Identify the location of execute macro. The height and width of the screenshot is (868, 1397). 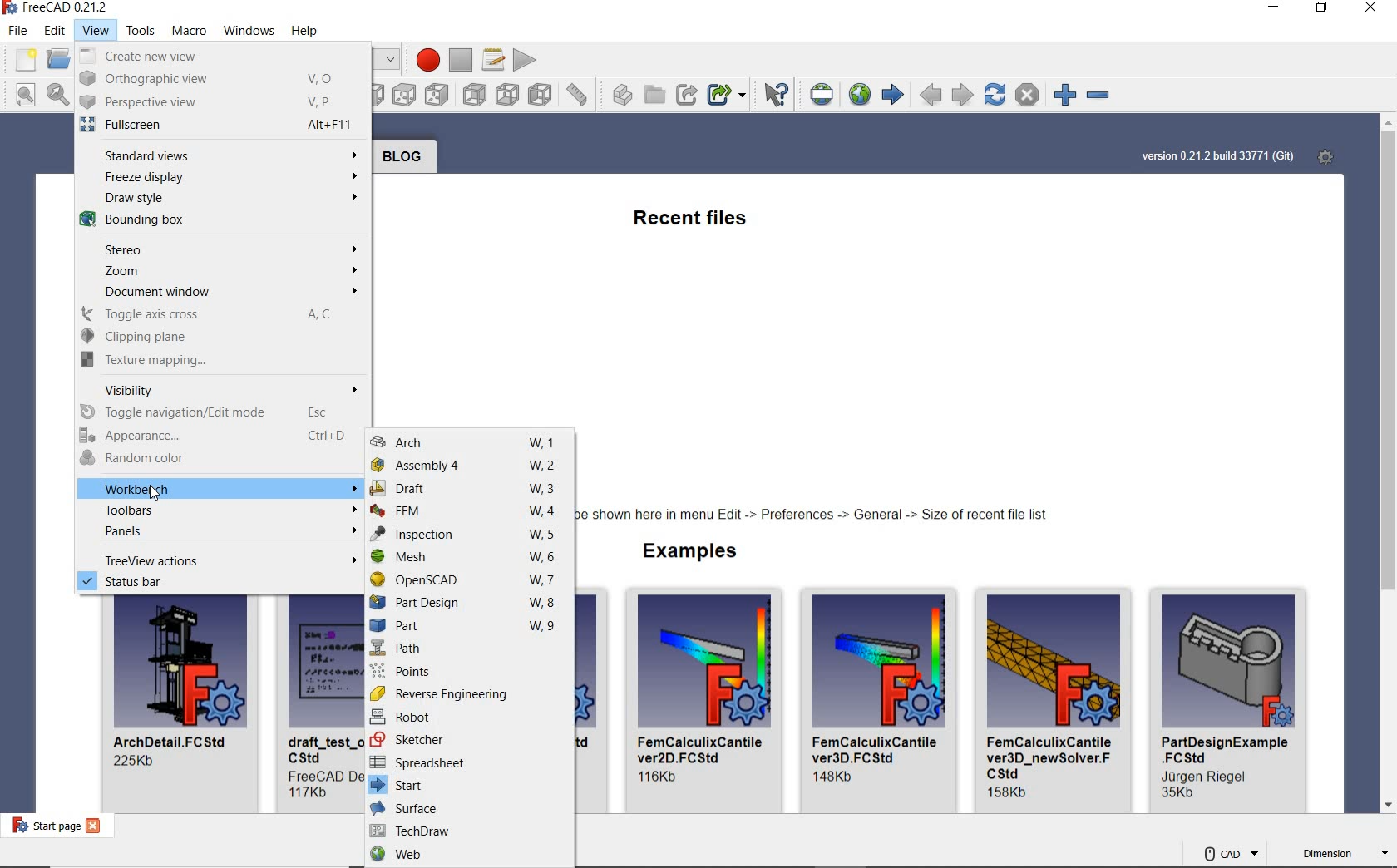
(525, 61).